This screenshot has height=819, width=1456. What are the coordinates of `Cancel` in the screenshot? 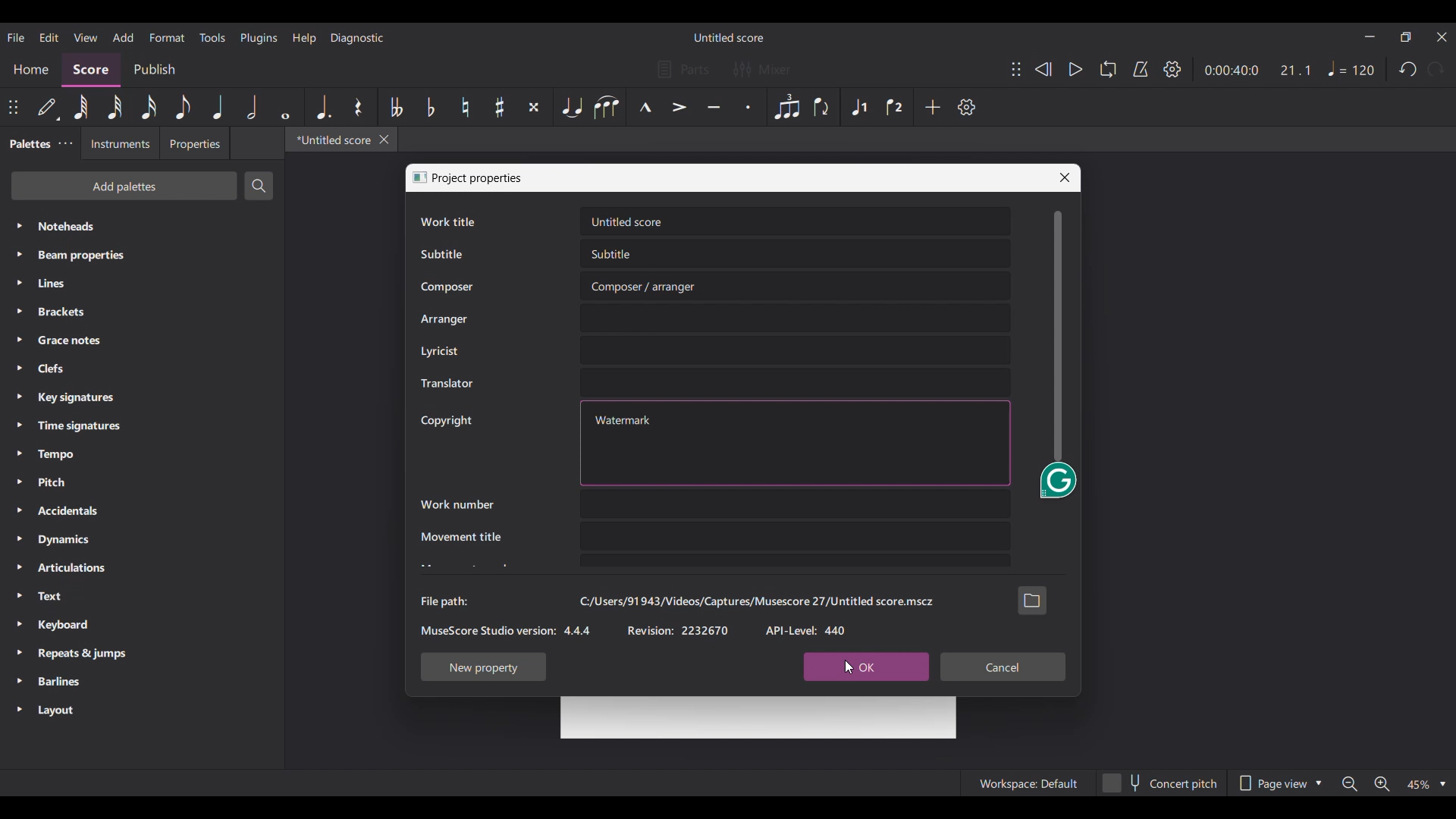 It's located at (1003, 667).